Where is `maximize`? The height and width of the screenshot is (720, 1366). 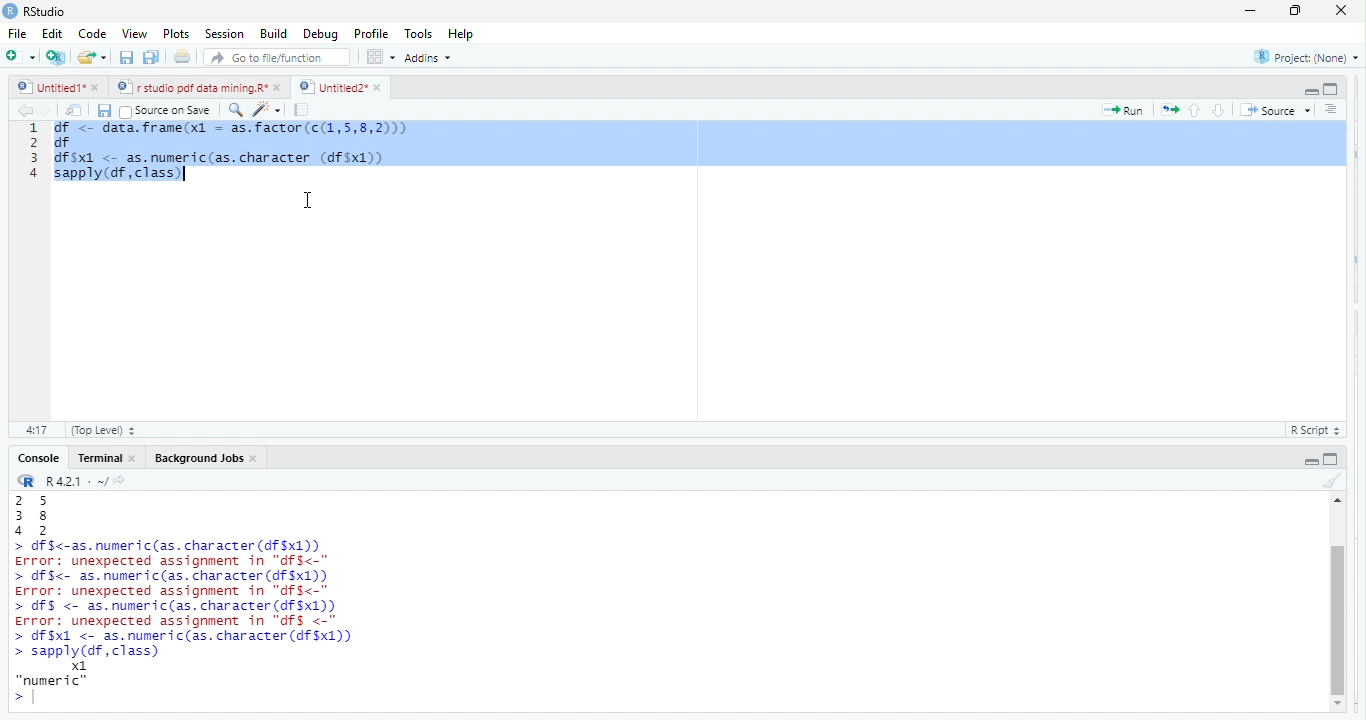 maximize is located at coordinates (1294, 11).